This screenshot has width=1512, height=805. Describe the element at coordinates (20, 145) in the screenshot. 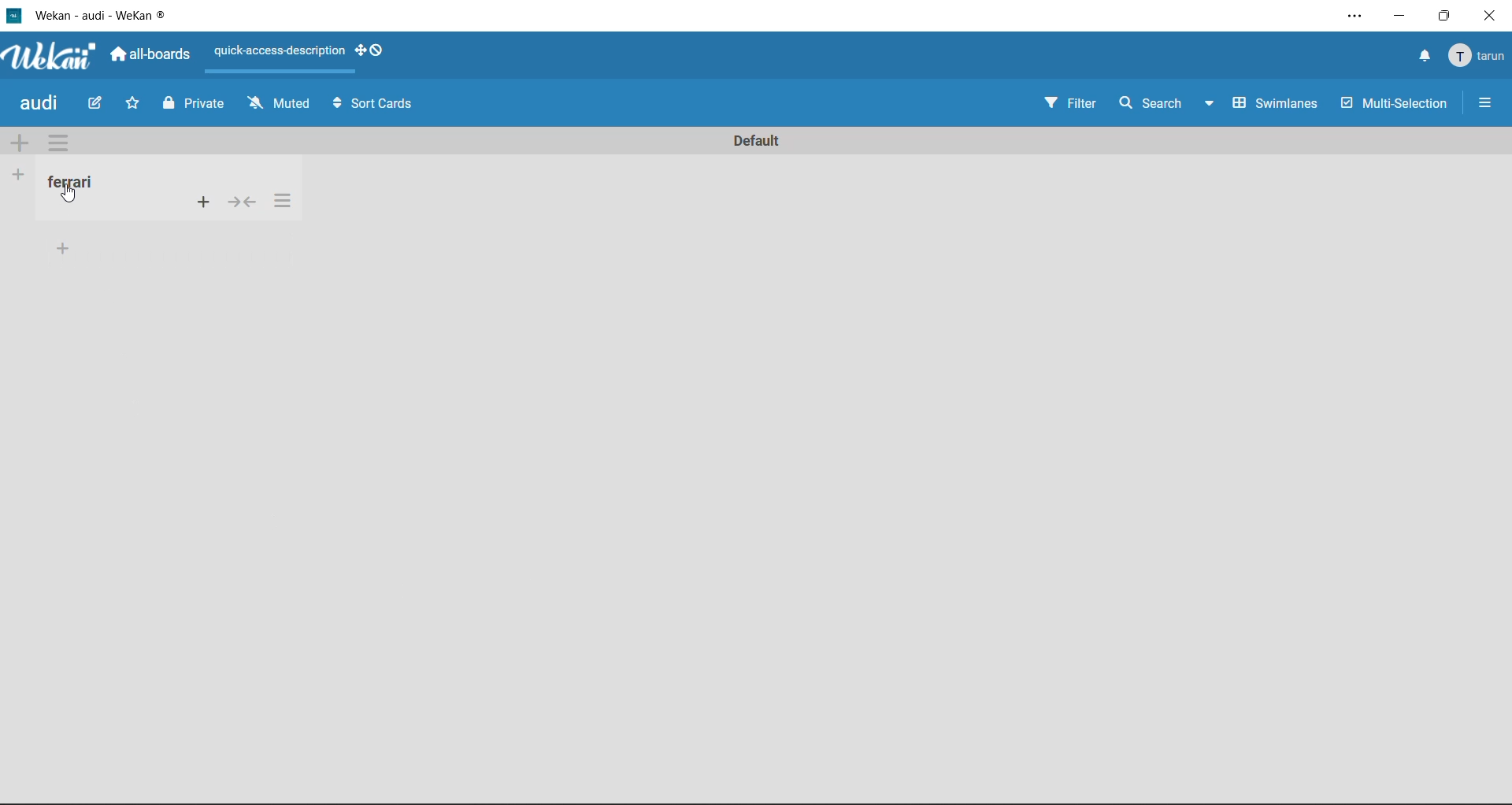

I see `add swimlane` at that location.